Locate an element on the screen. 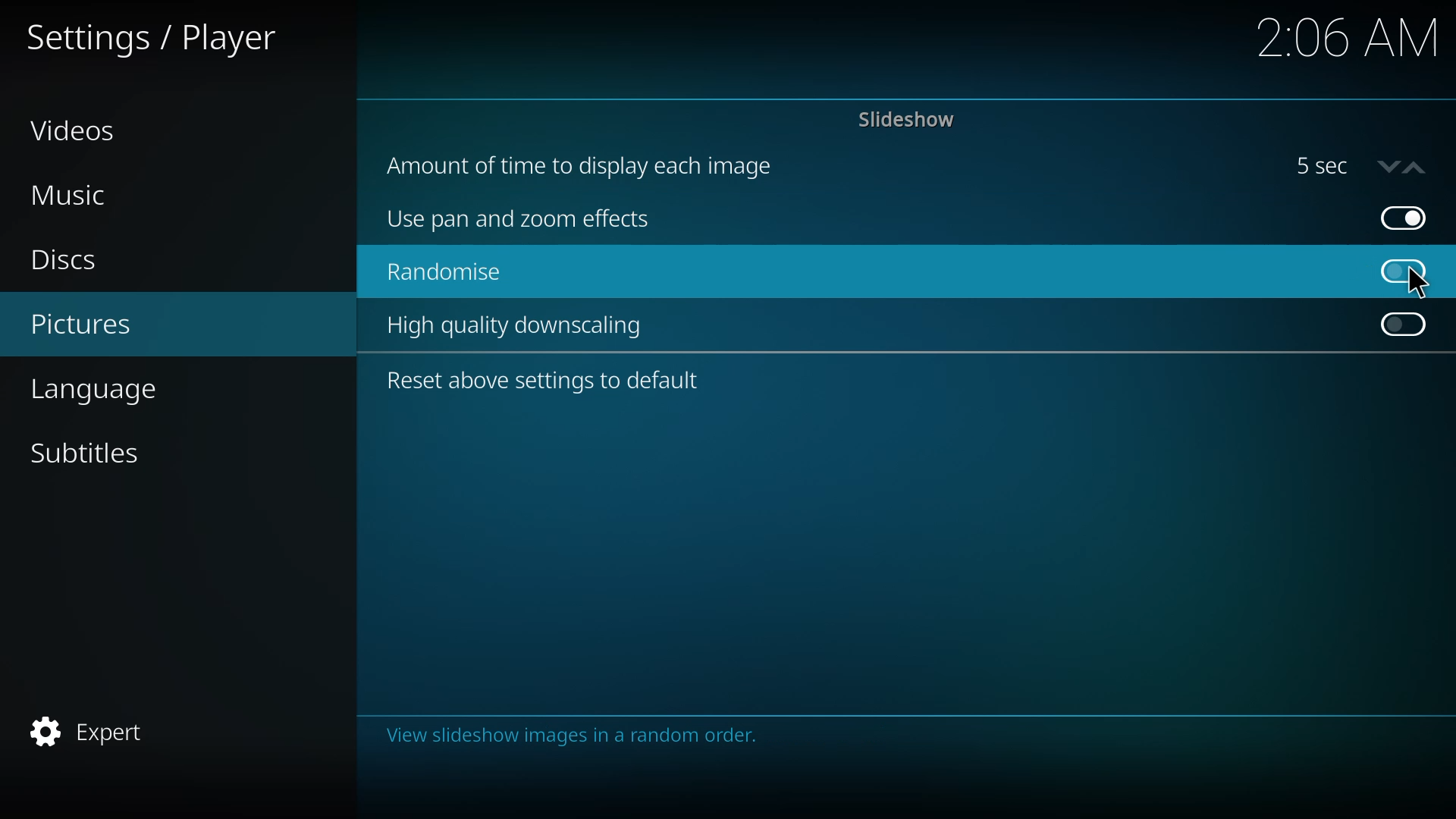 The image size is (1456, 819). info is located at coordinates (575, 736).